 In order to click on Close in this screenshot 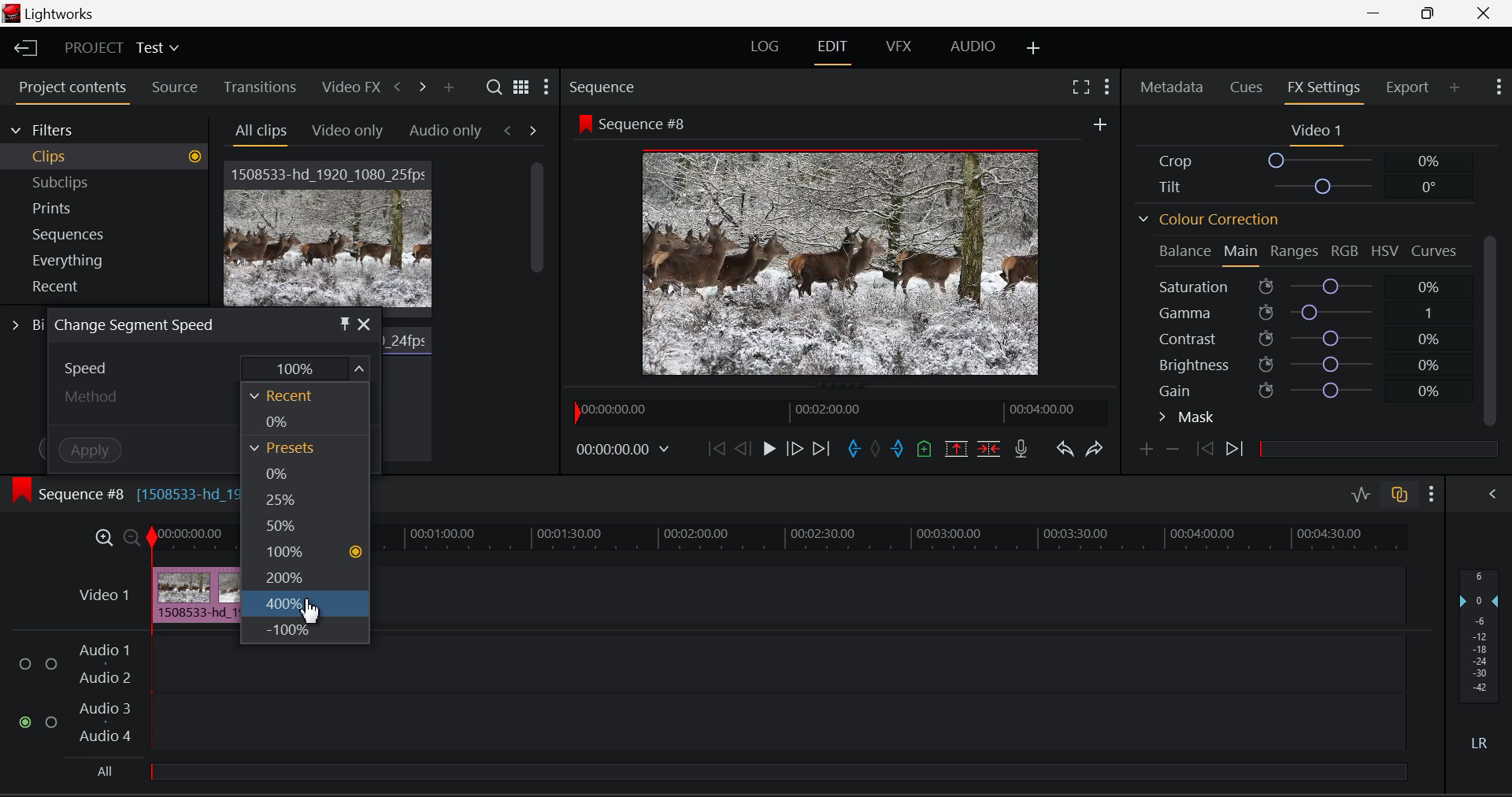, I will do `click(365, 325)`.